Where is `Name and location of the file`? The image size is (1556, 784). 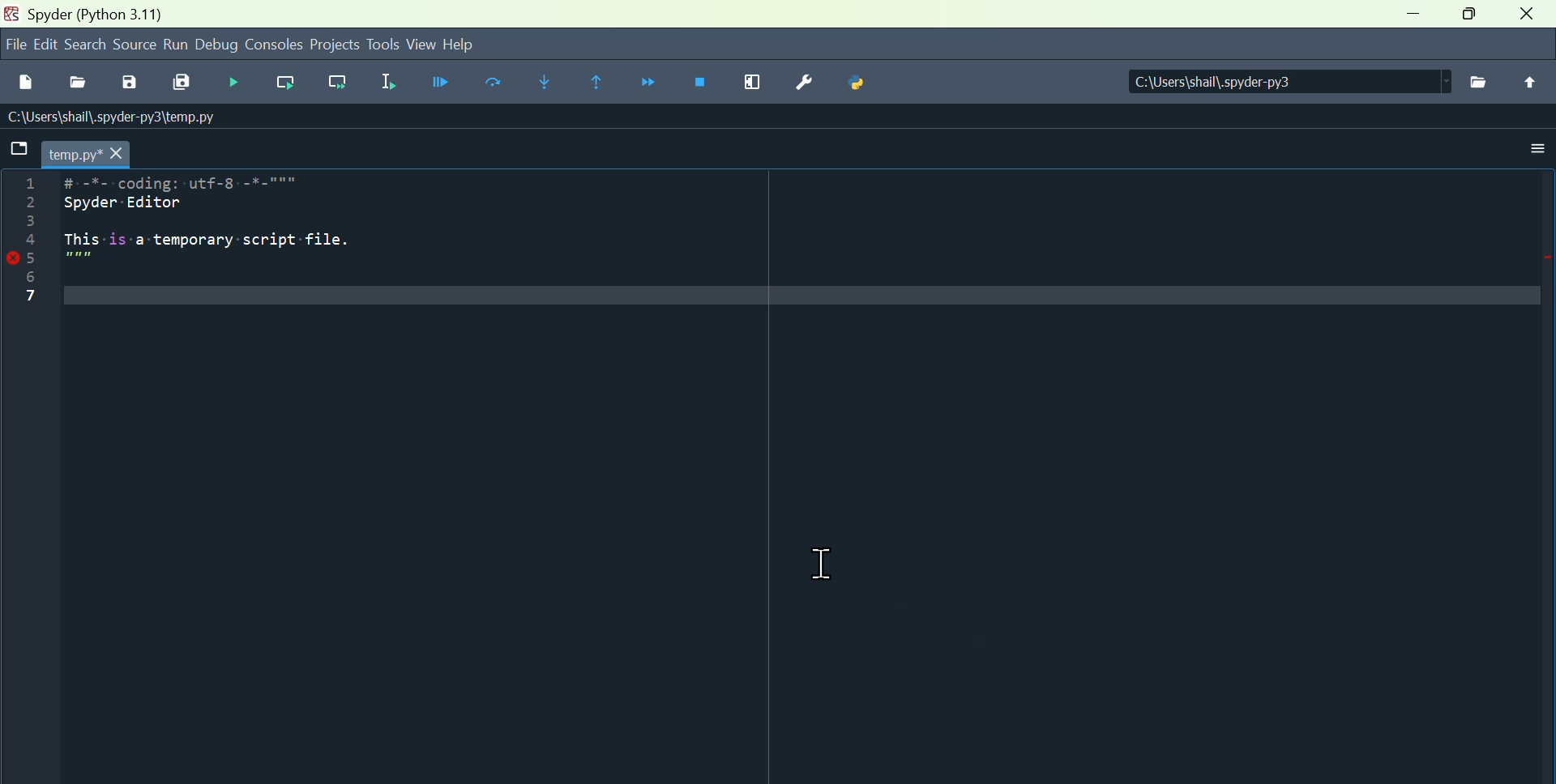 Name and location of the file is located at coordinates (108, 121).